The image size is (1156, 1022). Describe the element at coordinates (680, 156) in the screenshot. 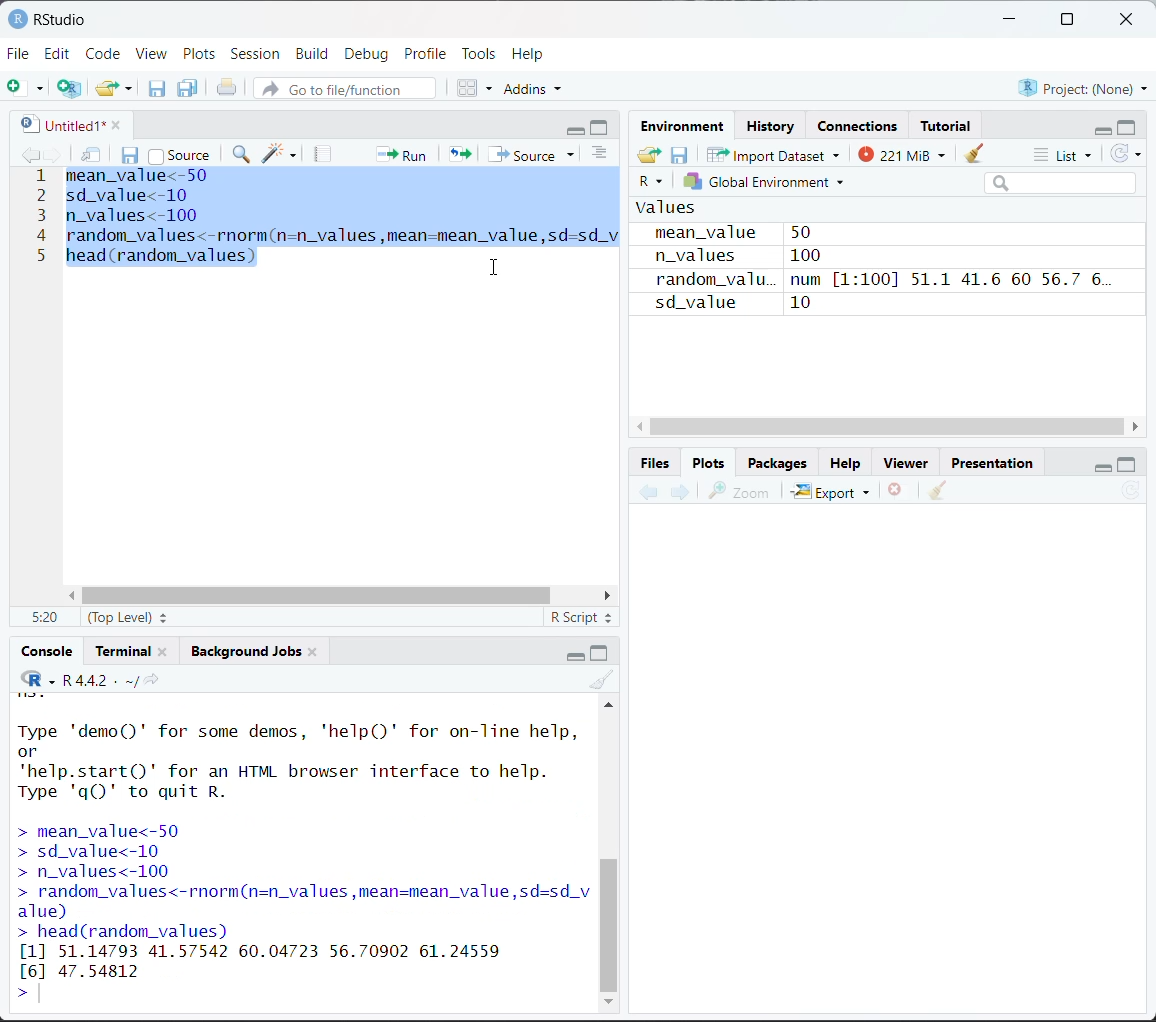

I see `save workspace as` at that location.